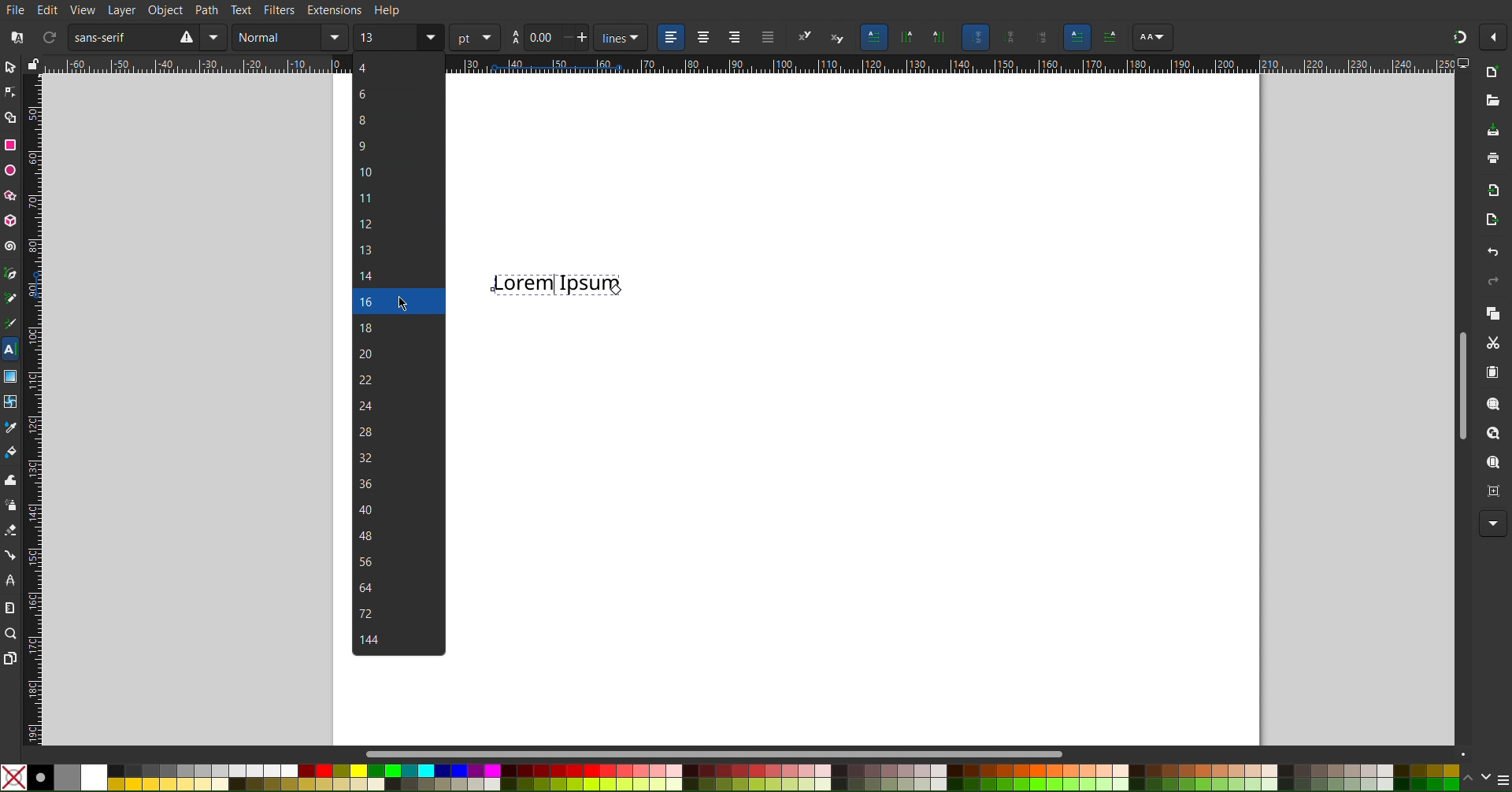  What do you see at coordinates (540, 37) in the screenshot?
I see `0` at bounding box center [540, 37].